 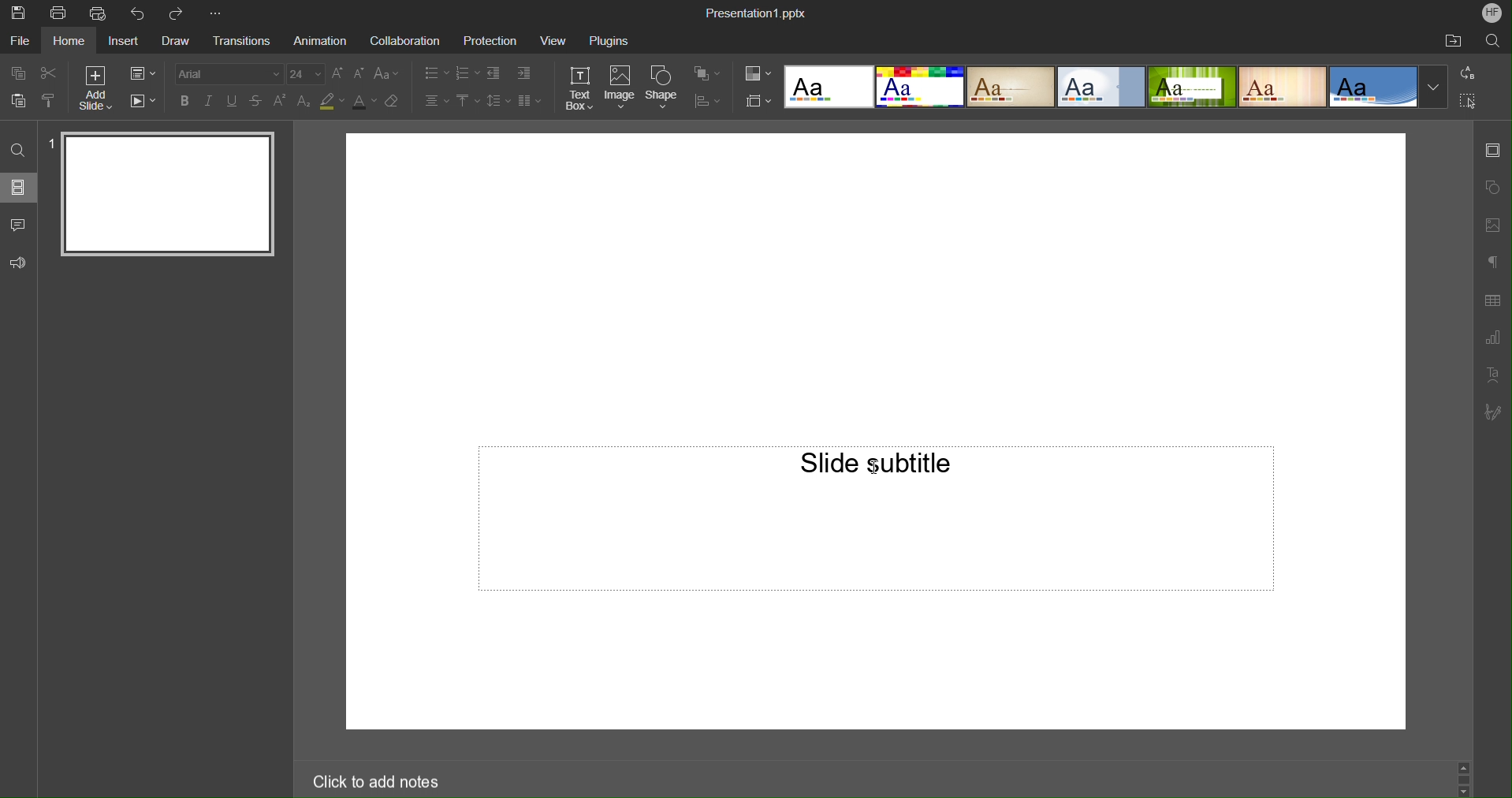 What do you see at coordinates (222, 13) in the screenshot?
I see `More` at bounding box center [222, 13].